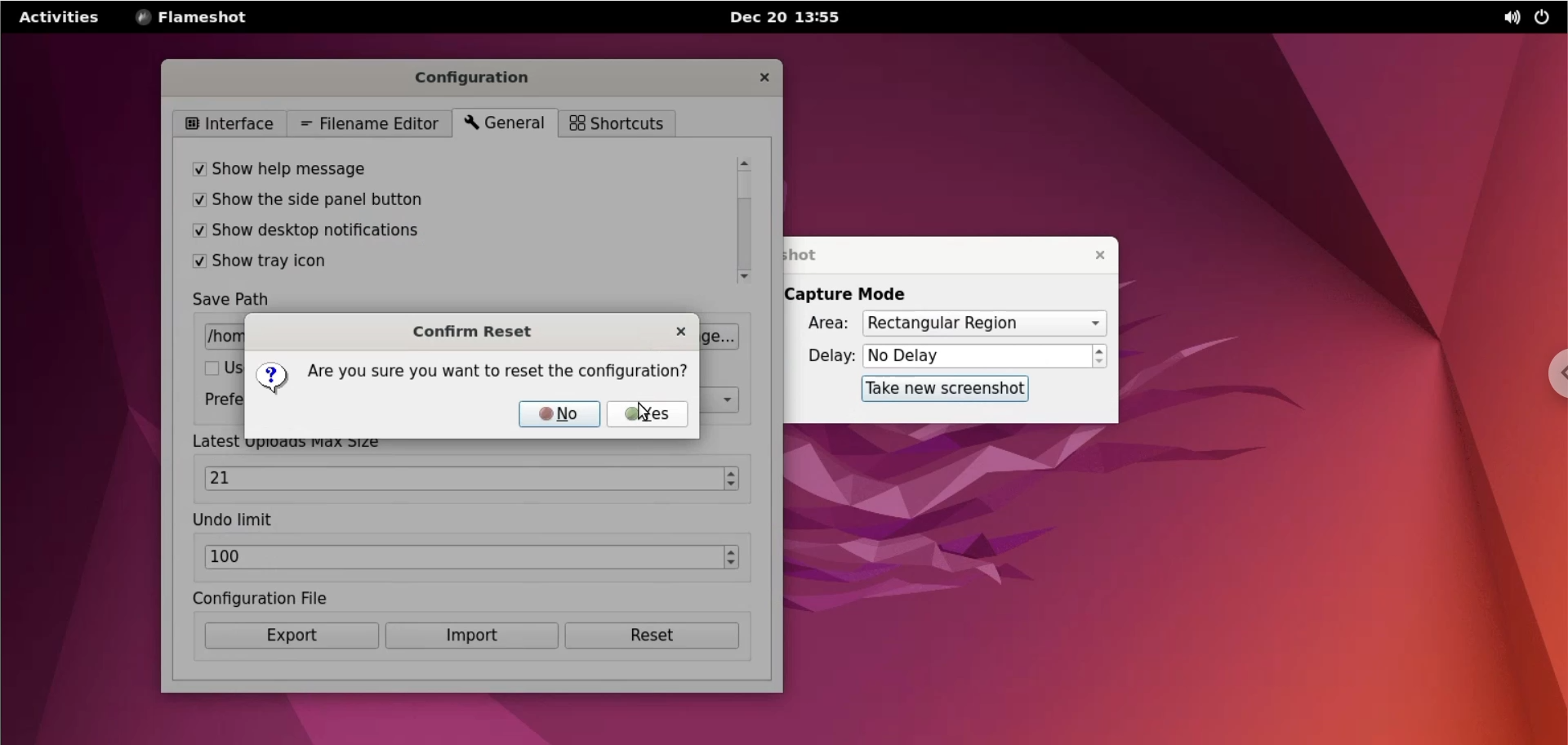  I want to click on Dec 20 13:54, so click(795, 19).